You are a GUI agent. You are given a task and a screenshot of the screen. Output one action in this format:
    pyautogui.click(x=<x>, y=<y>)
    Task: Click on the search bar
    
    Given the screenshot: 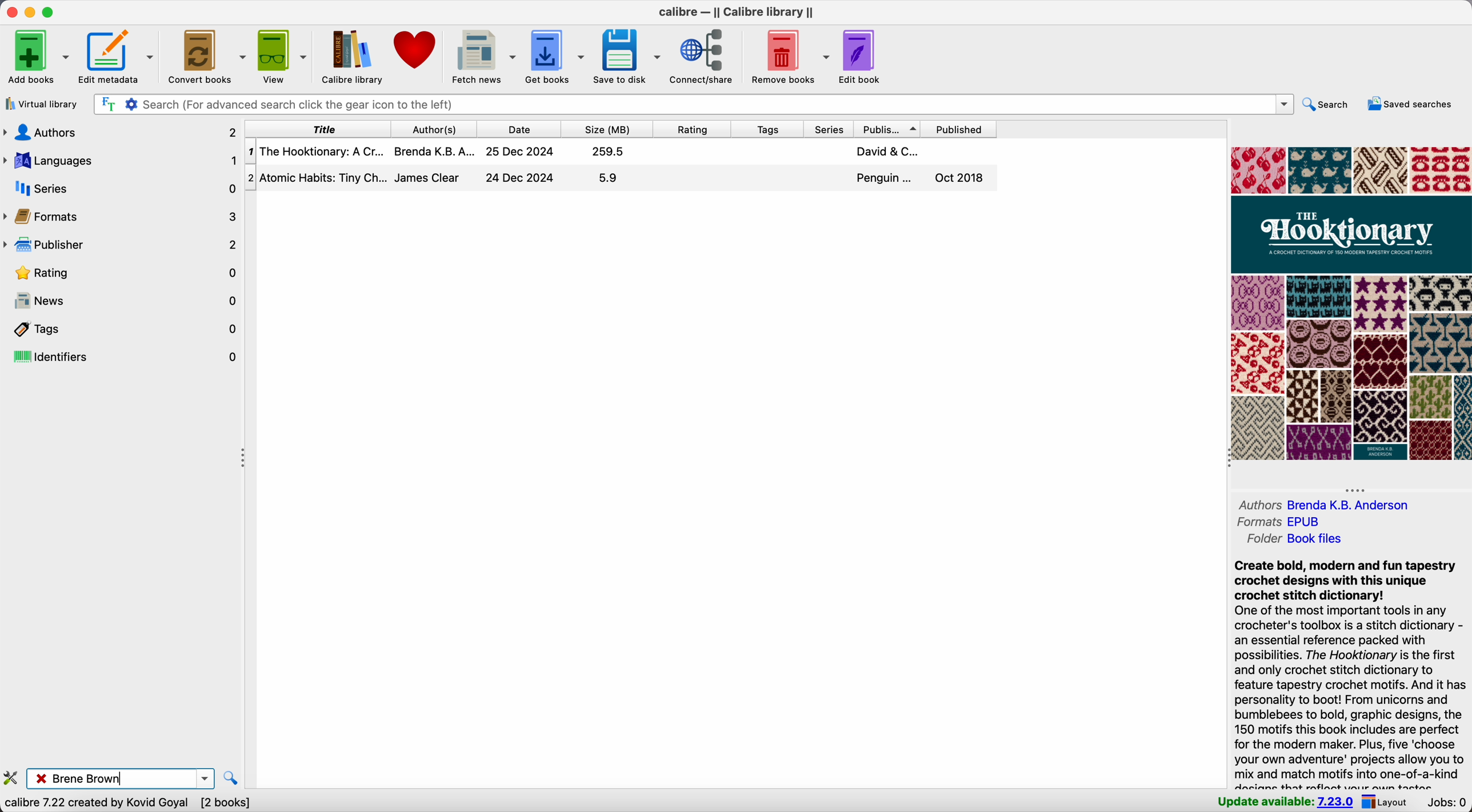 What is the action you would take?
    pyautogui.click(x=694, y=105)
    